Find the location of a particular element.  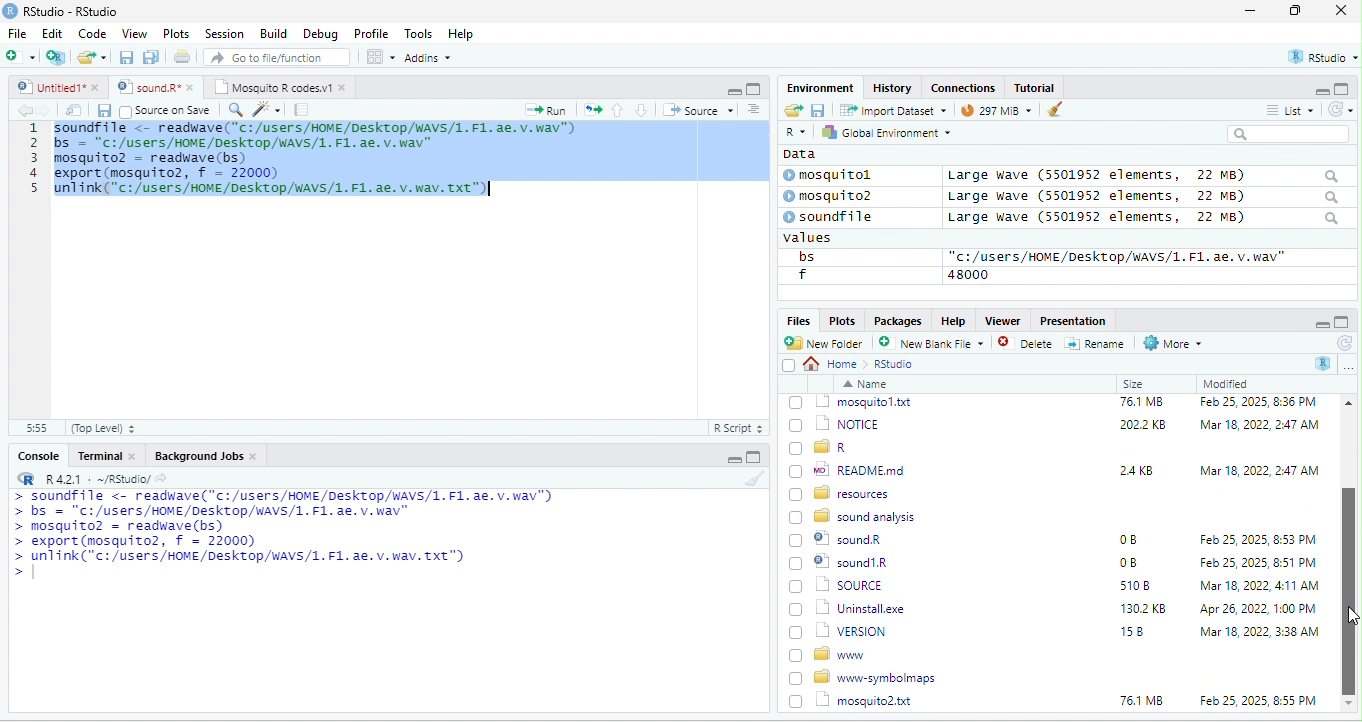

© mosquitol is located at coordinates (842, 175).